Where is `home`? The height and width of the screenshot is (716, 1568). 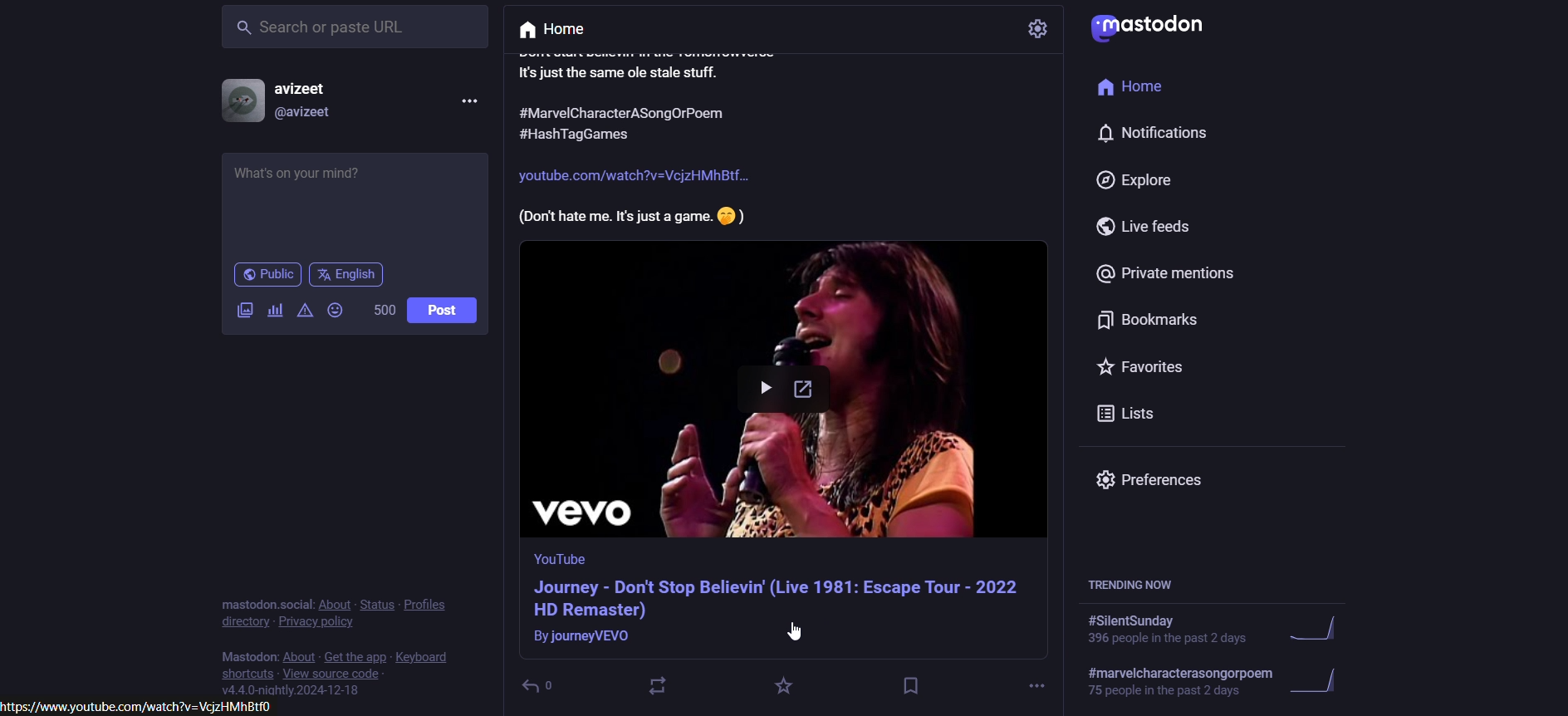 home is located at coordinates (565, 28).